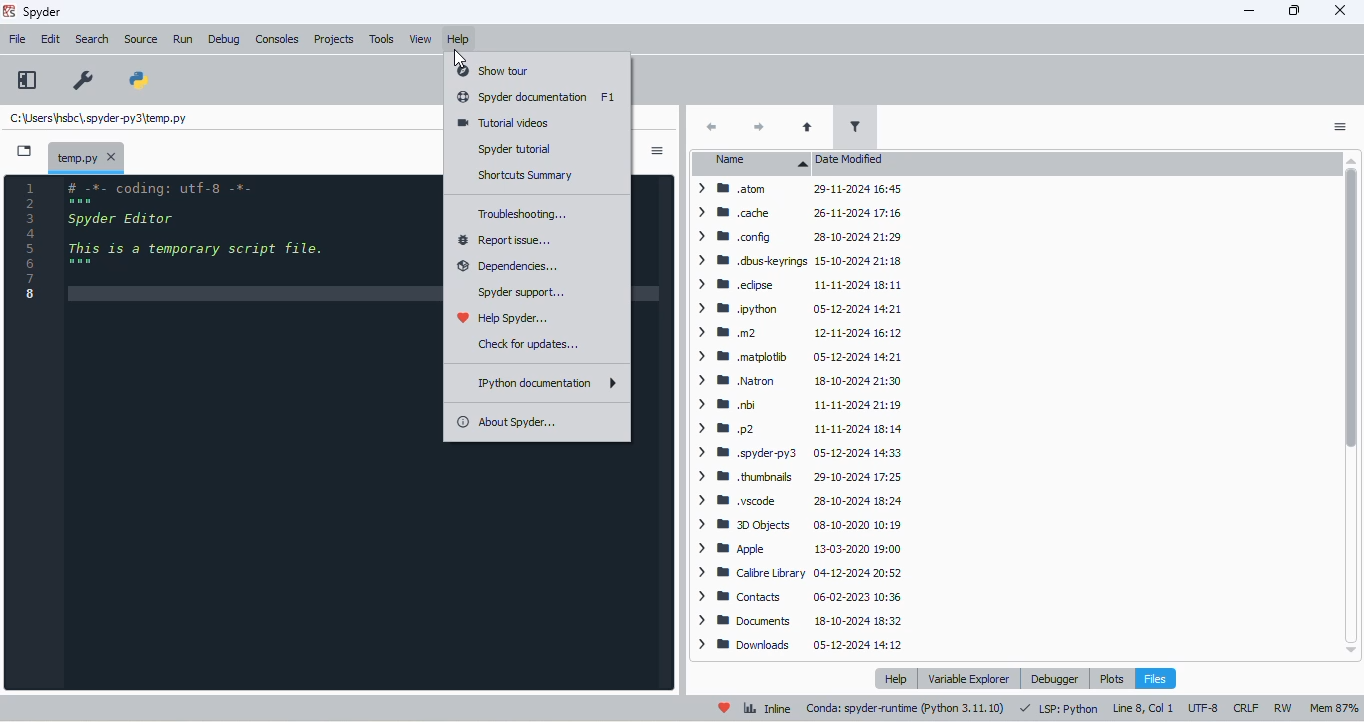  What do you see at coordinates (1282, 708) in the screenshot?
I see `RW` at bounding box center [1282, 708].